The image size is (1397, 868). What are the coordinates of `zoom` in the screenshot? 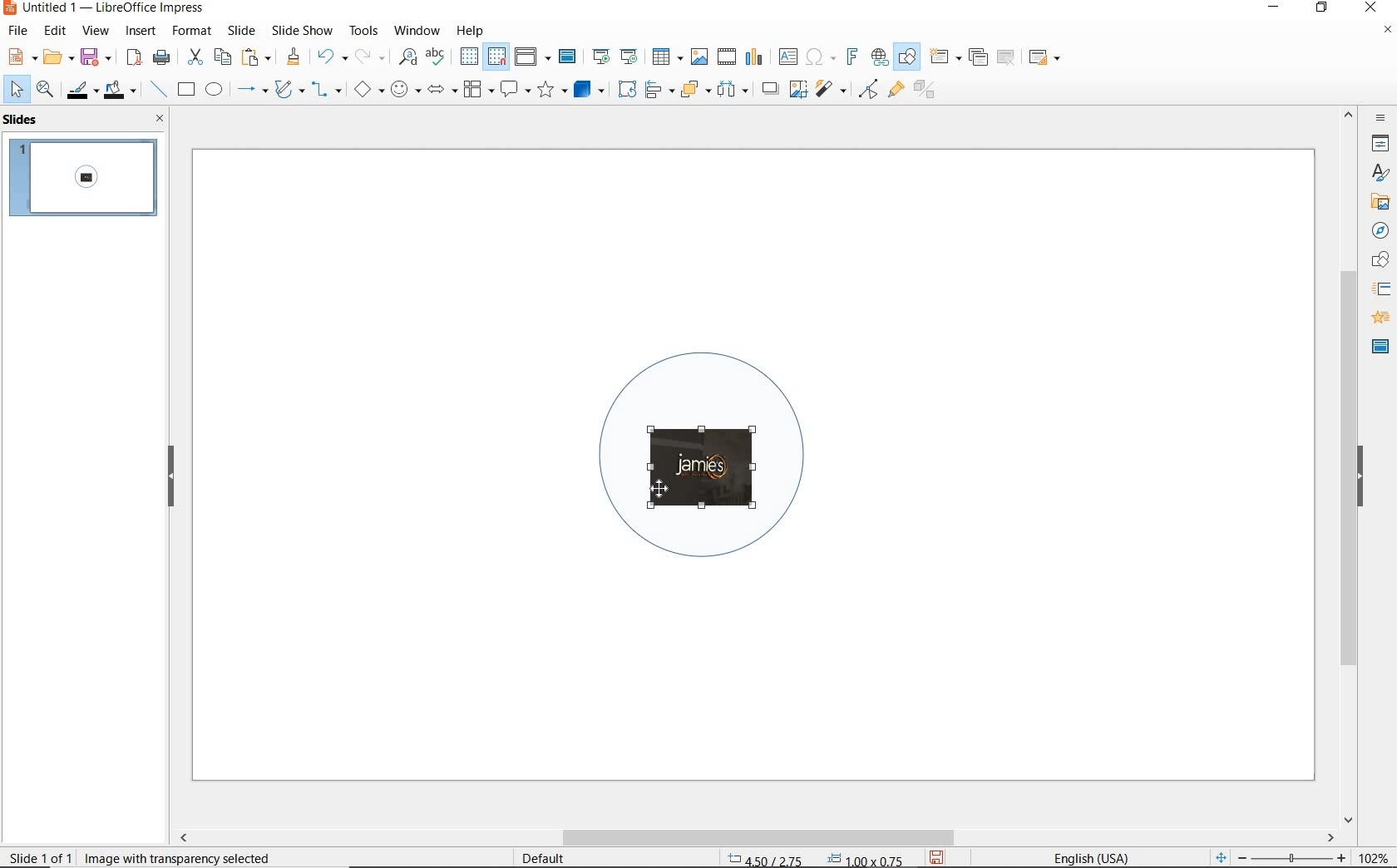 It's located at (1296, 858).